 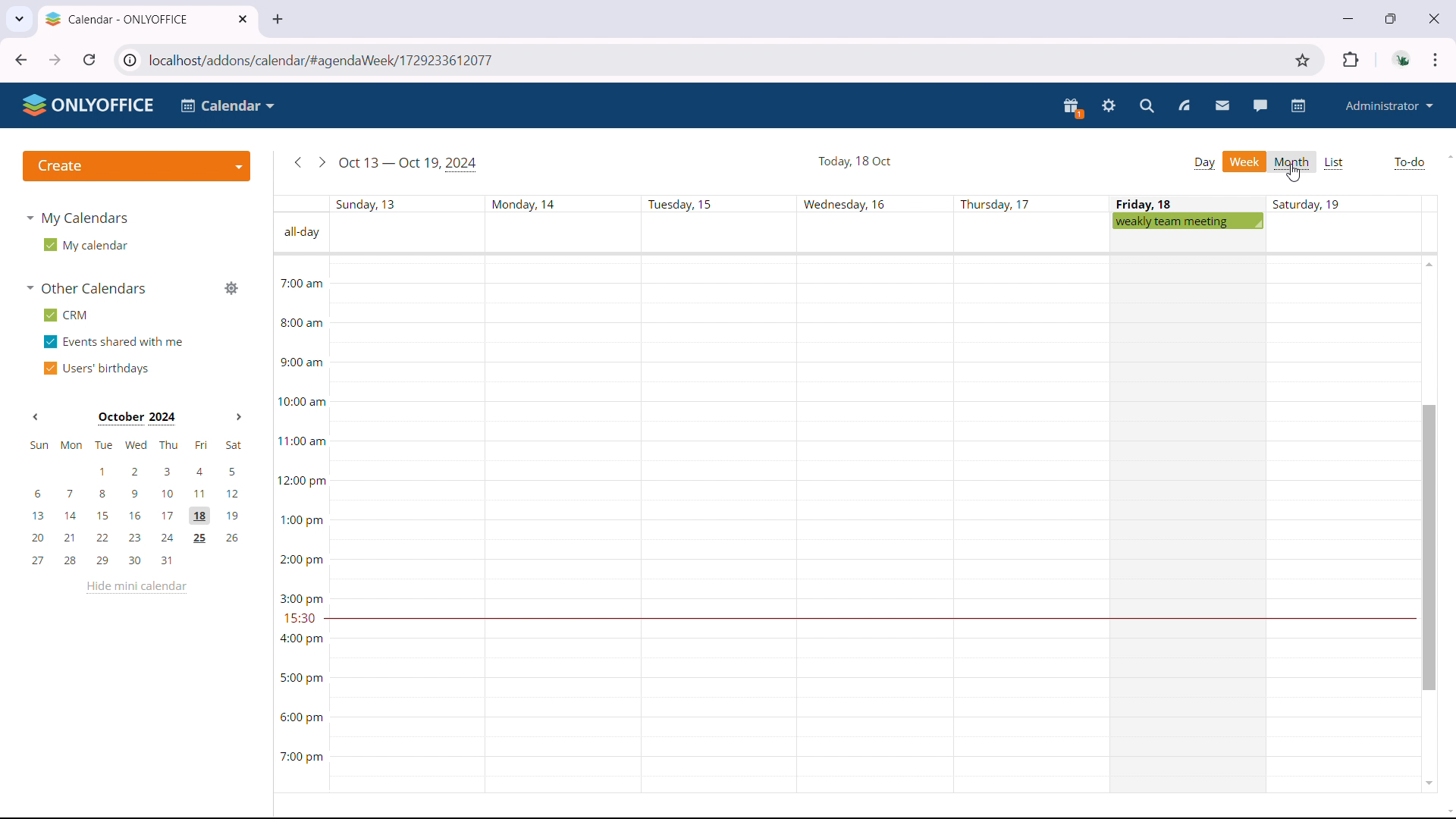 What do you see at coordinates (409, 164) in the screenshot?
I see `current week in view` at bounding box center [409, 164].